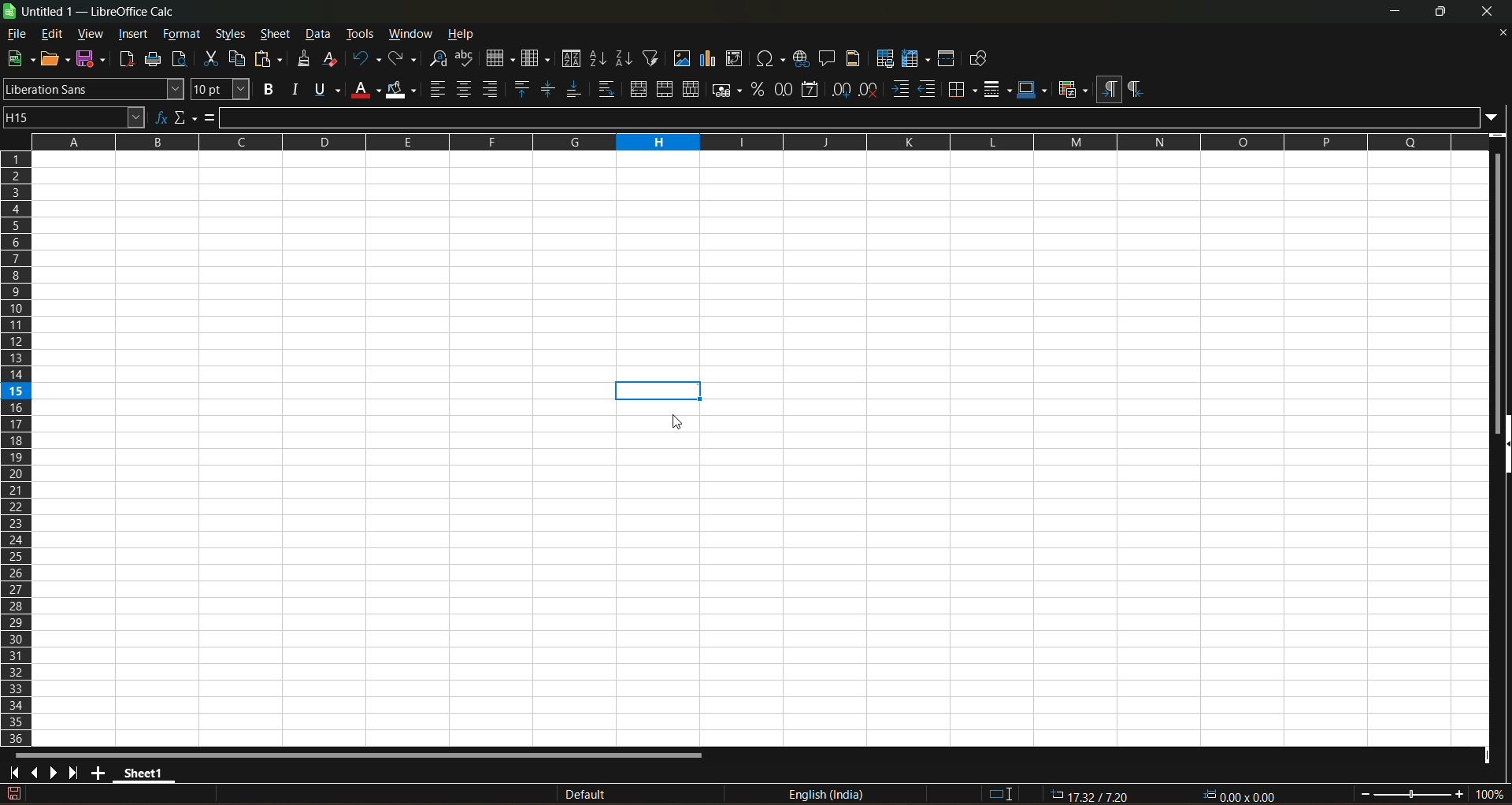 The width and height of the screenshot is (1512, 805). Describe the element at coordinates (829, 793) in the screenshot. I see `text language` at that location.